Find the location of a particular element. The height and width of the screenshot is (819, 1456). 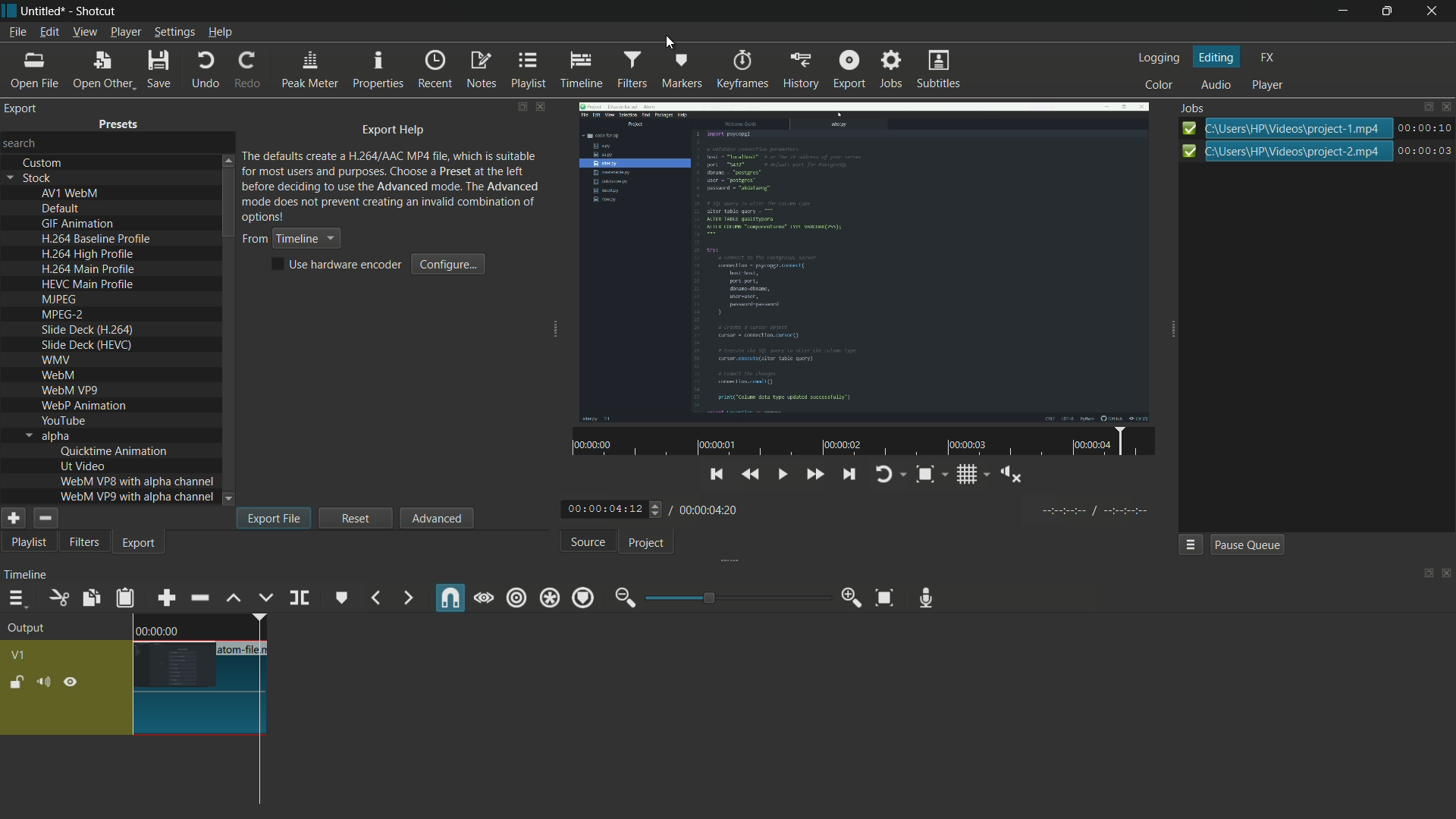

zoom timeline to fit is located at coordinates (882, 596).